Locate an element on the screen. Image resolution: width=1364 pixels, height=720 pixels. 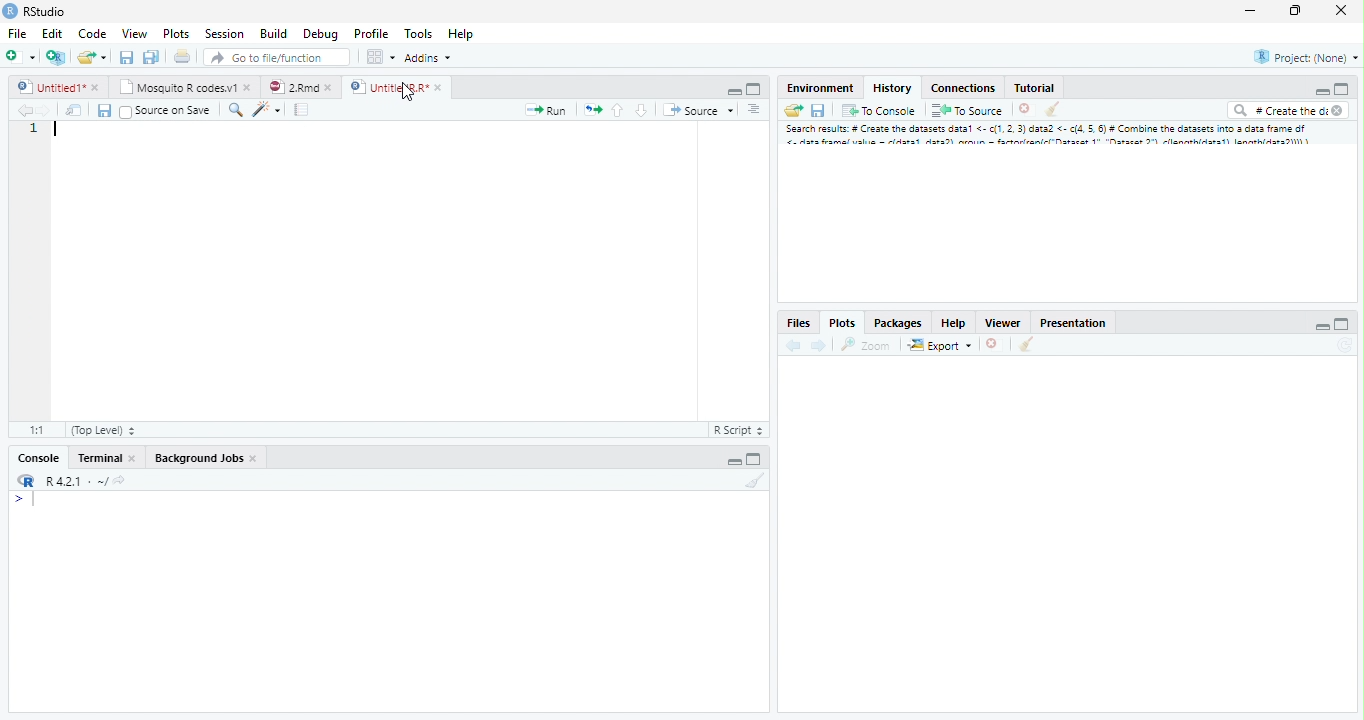
1:1 is located at coordinates (41, 428).